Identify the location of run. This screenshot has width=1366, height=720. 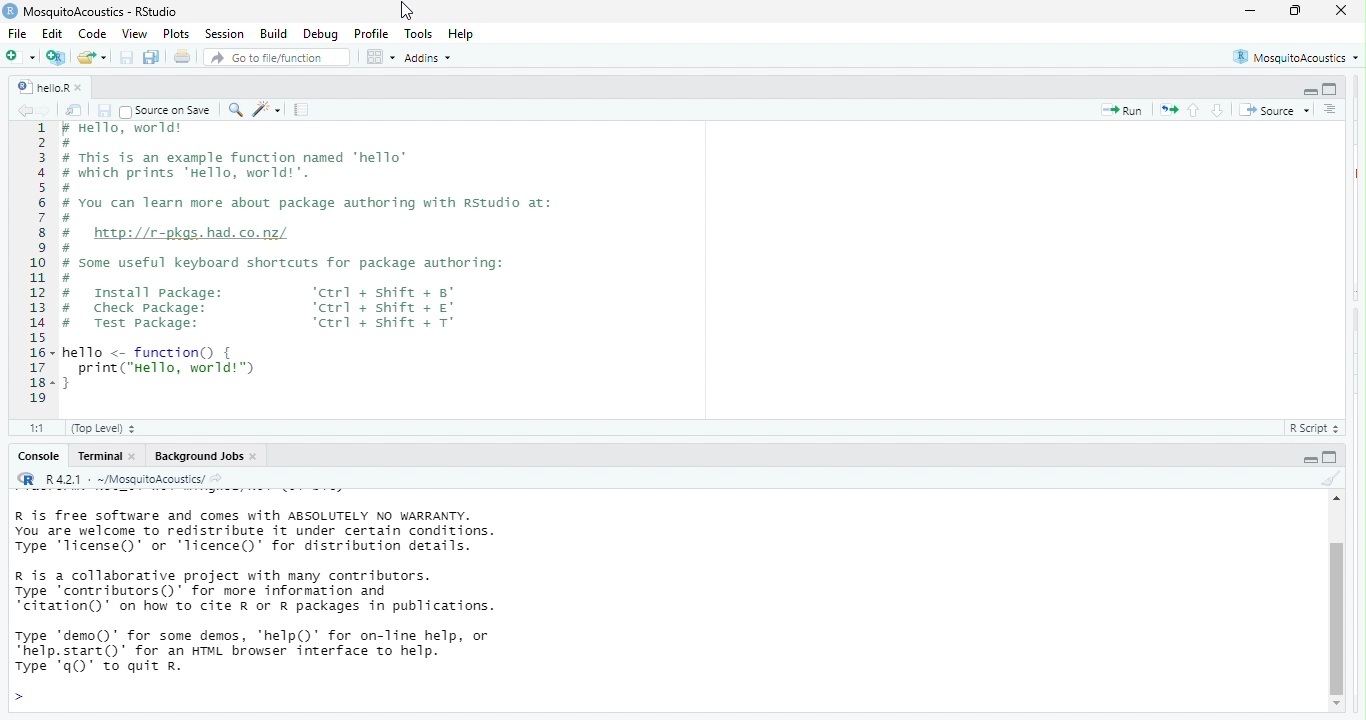
(1118, 112).